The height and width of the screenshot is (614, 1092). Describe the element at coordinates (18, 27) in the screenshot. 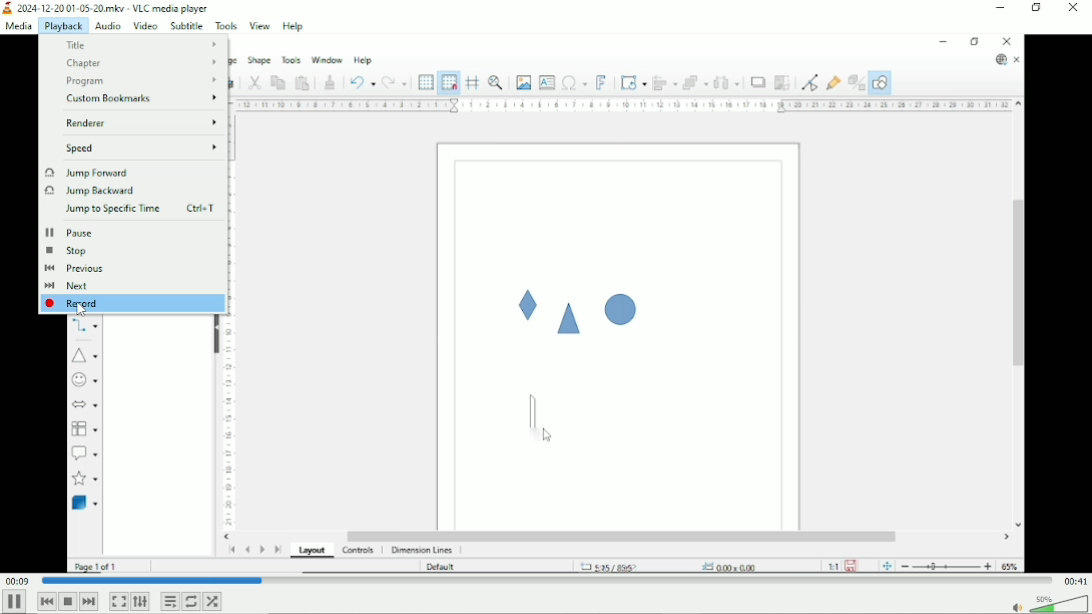

I see `Media` at that location.